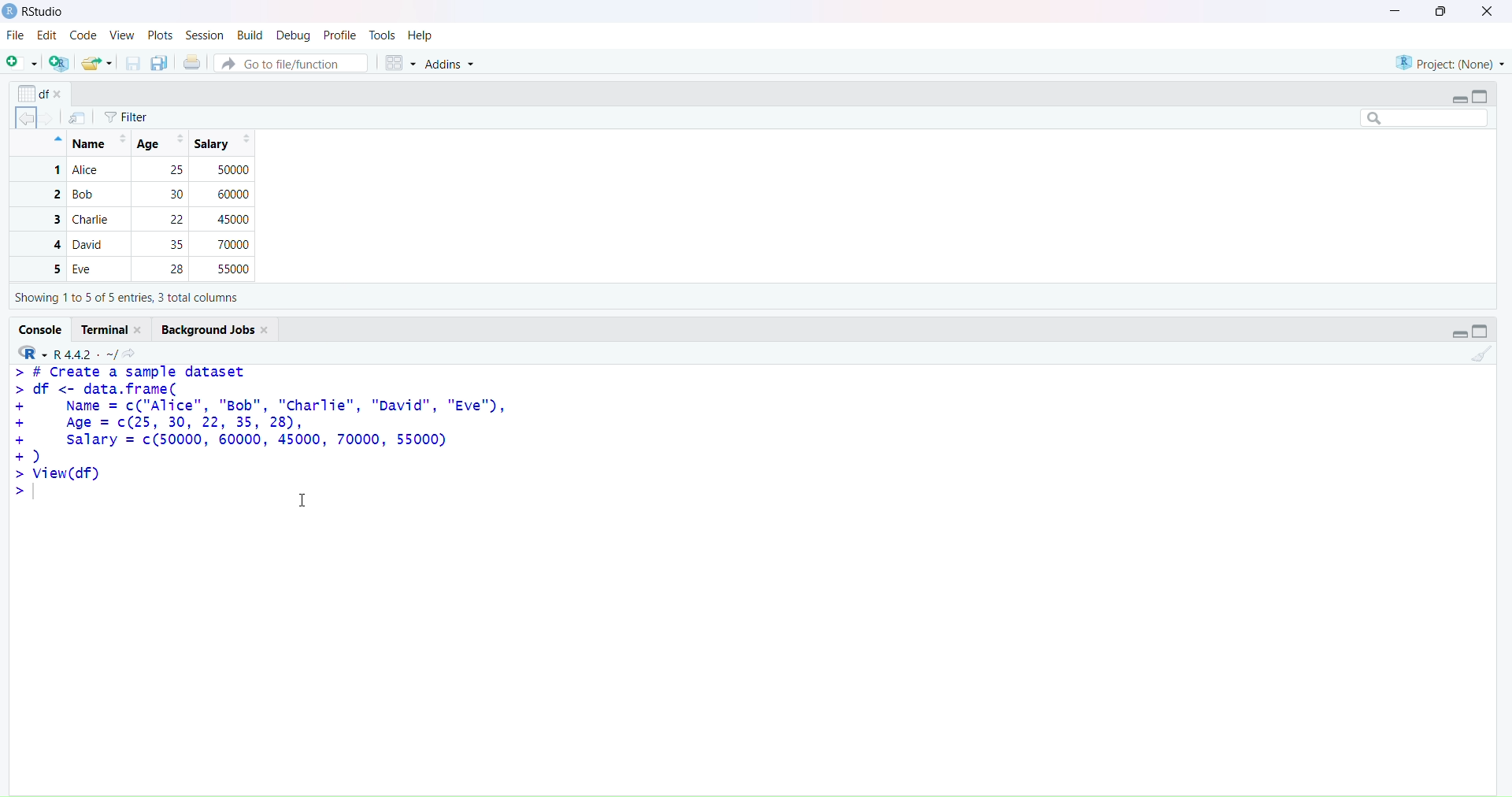  I want to click on console, so click(41, 330).